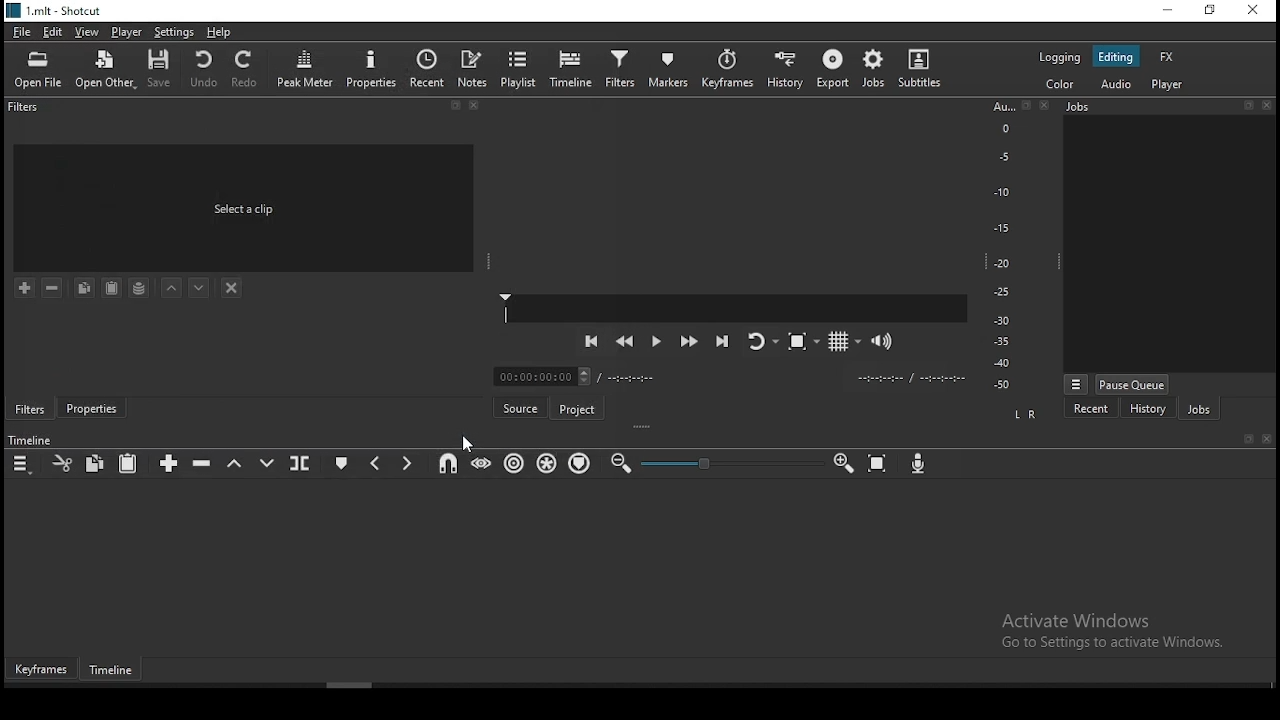 This screenshot has width=1280, height=720. Describe the element at coordinates (84, 288) in the screenshot. I see `copy filter` at that location.